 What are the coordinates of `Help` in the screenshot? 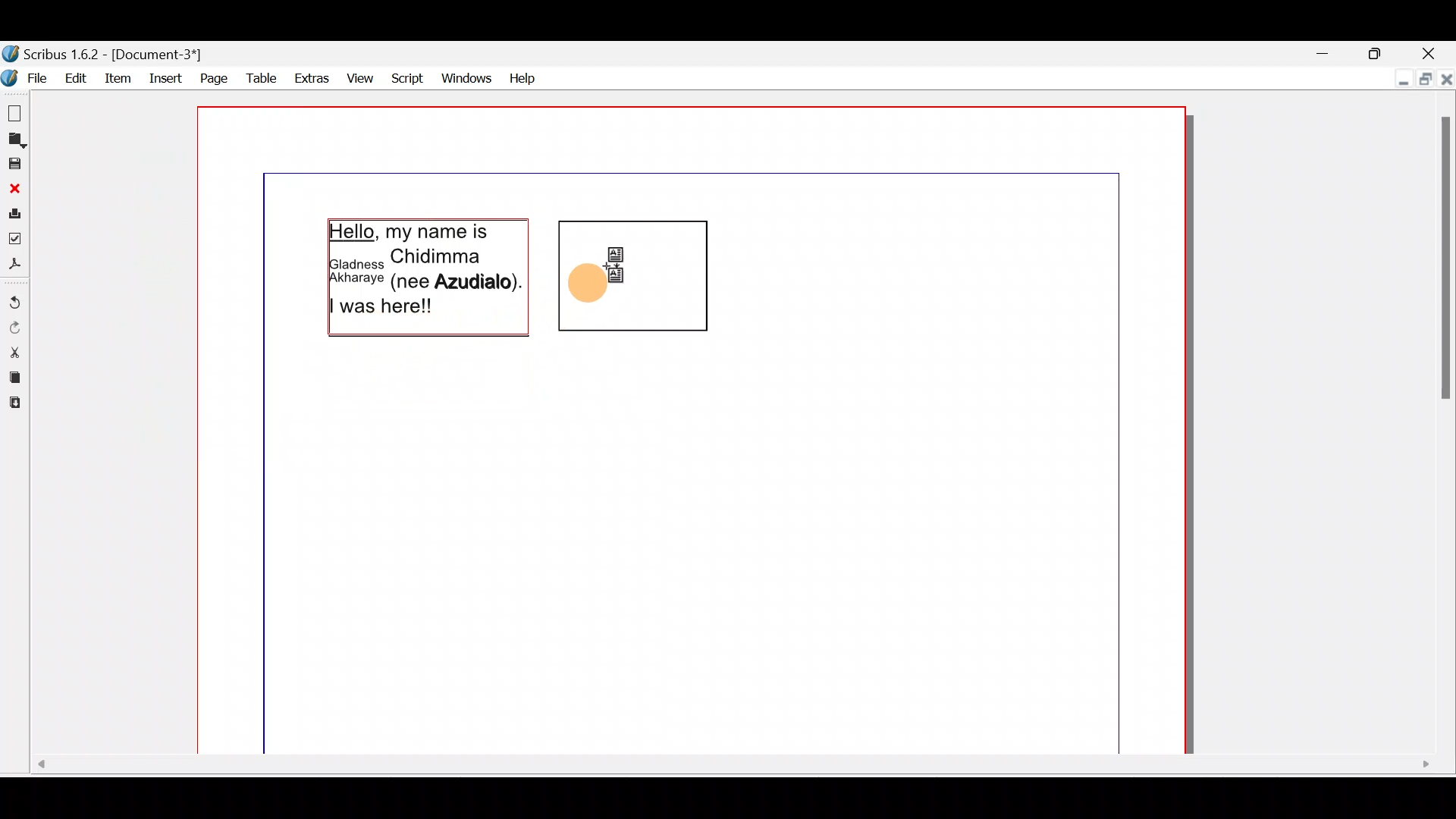 It's located at (524, 77).